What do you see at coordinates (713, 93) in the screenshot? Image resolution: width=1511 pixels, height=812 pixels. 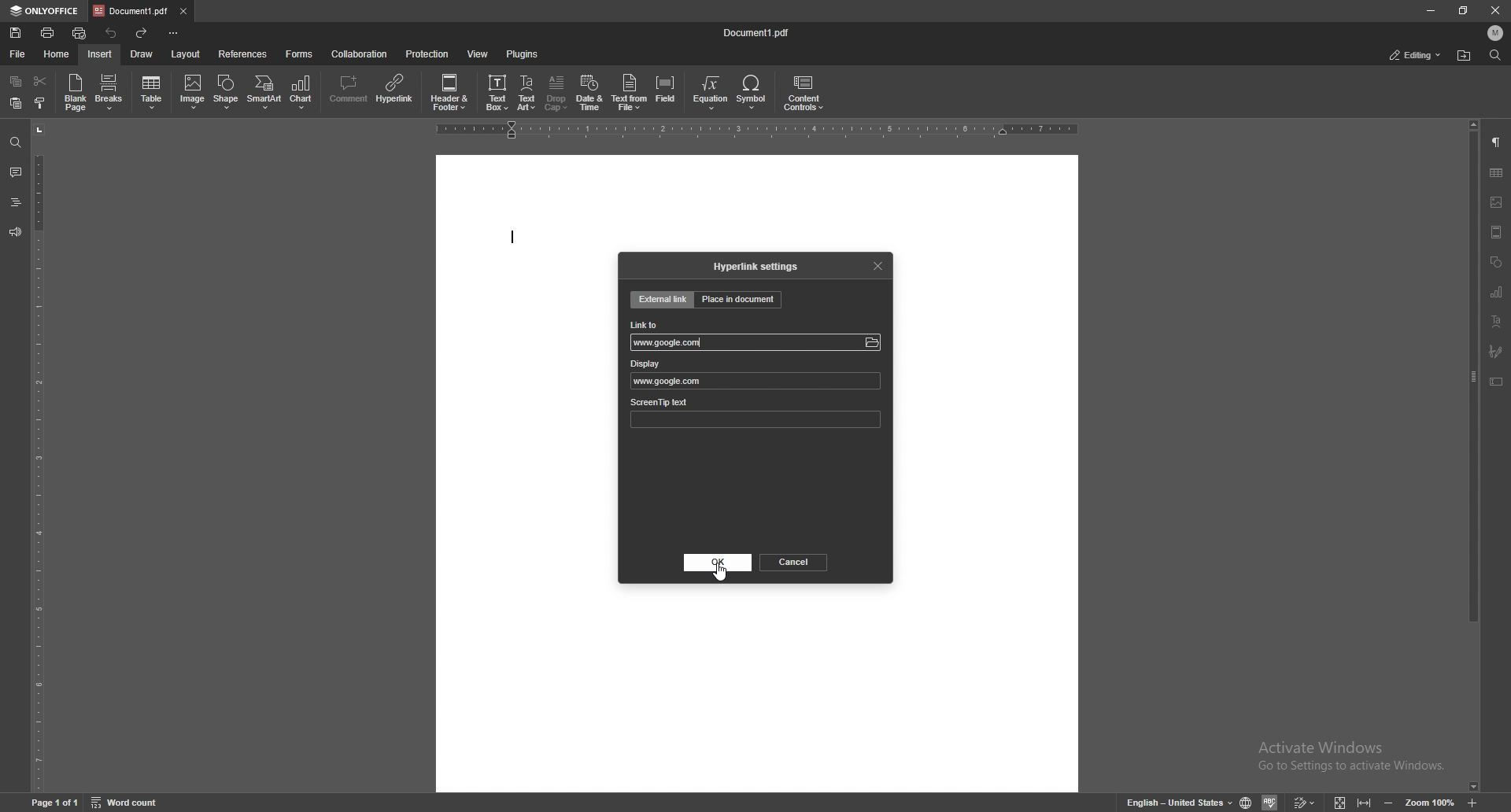 I see `equation` at bounding box center [713, 93].